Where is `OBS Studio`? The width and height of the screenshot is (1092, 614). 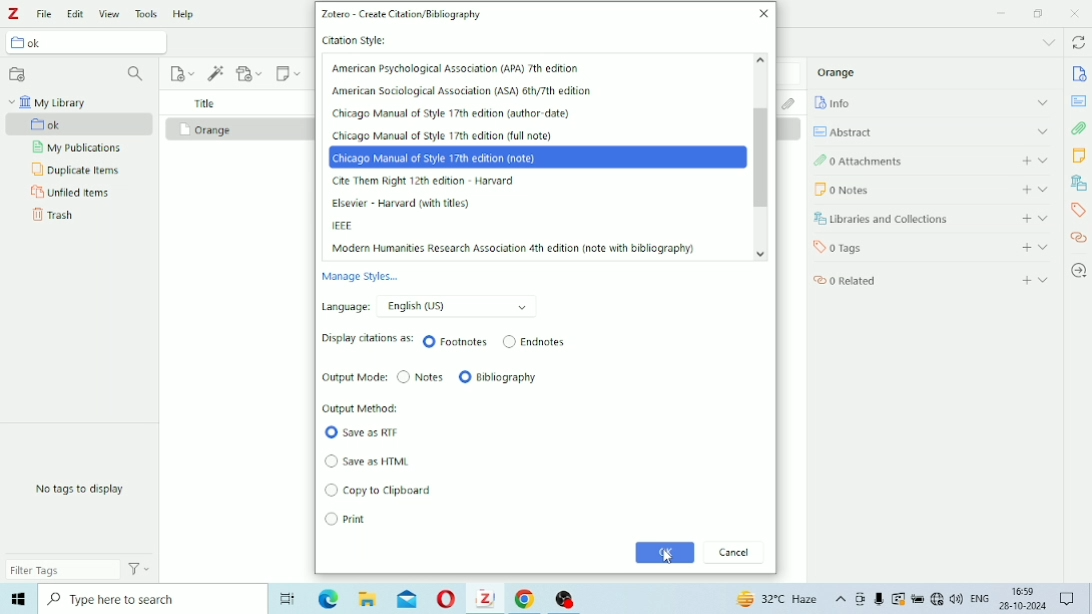 OBS Studio is located at coordinates (566, 600).